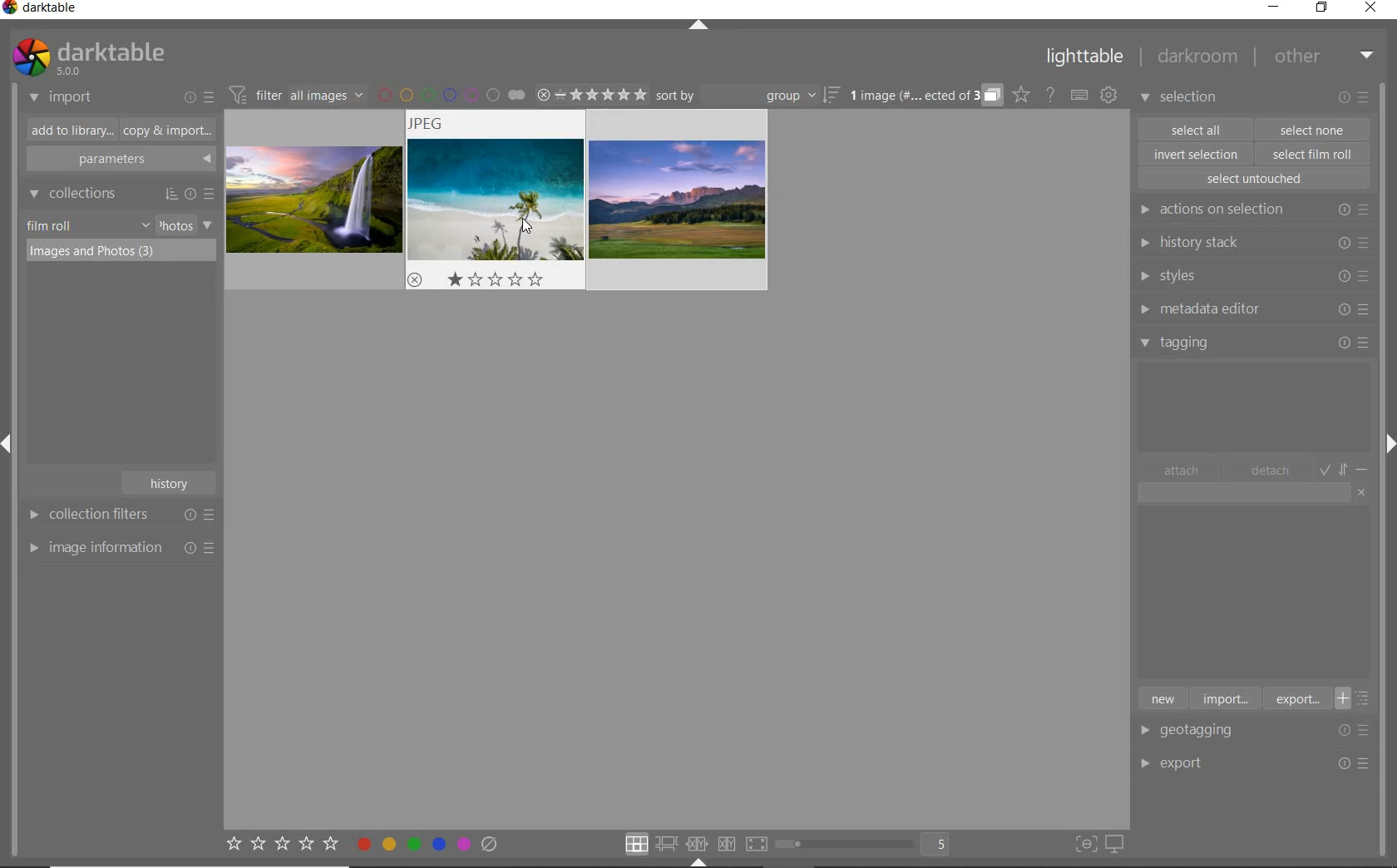 The height and width of the screenshot is (868, 1397). Describe the element at coordinates (1182, 470) in the screenshot. I see `attach` at that location.